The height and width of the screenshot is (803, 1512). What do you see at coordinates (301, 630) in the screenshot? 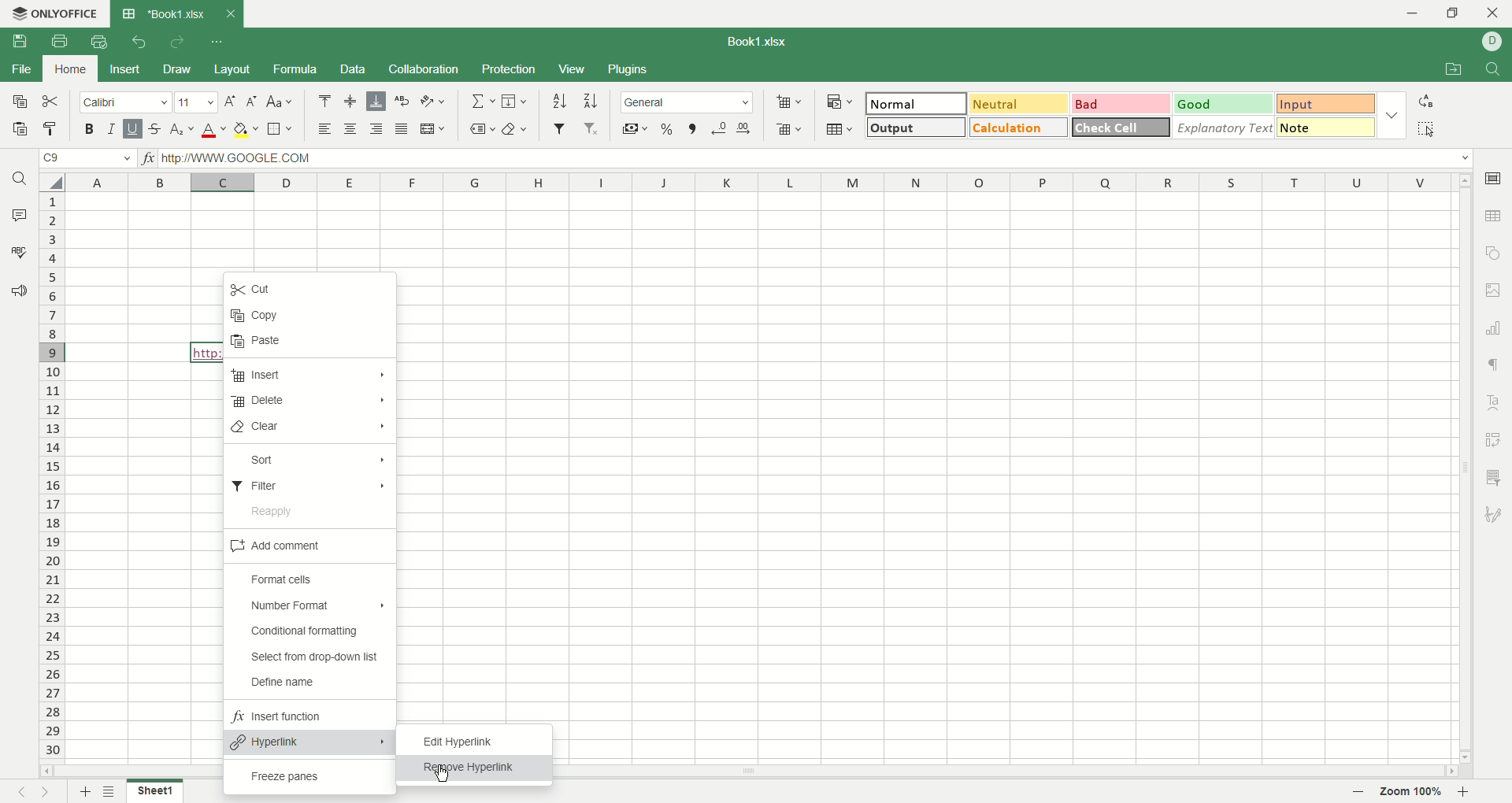
I see `conditional formatting` at bounding box center [301, 630].